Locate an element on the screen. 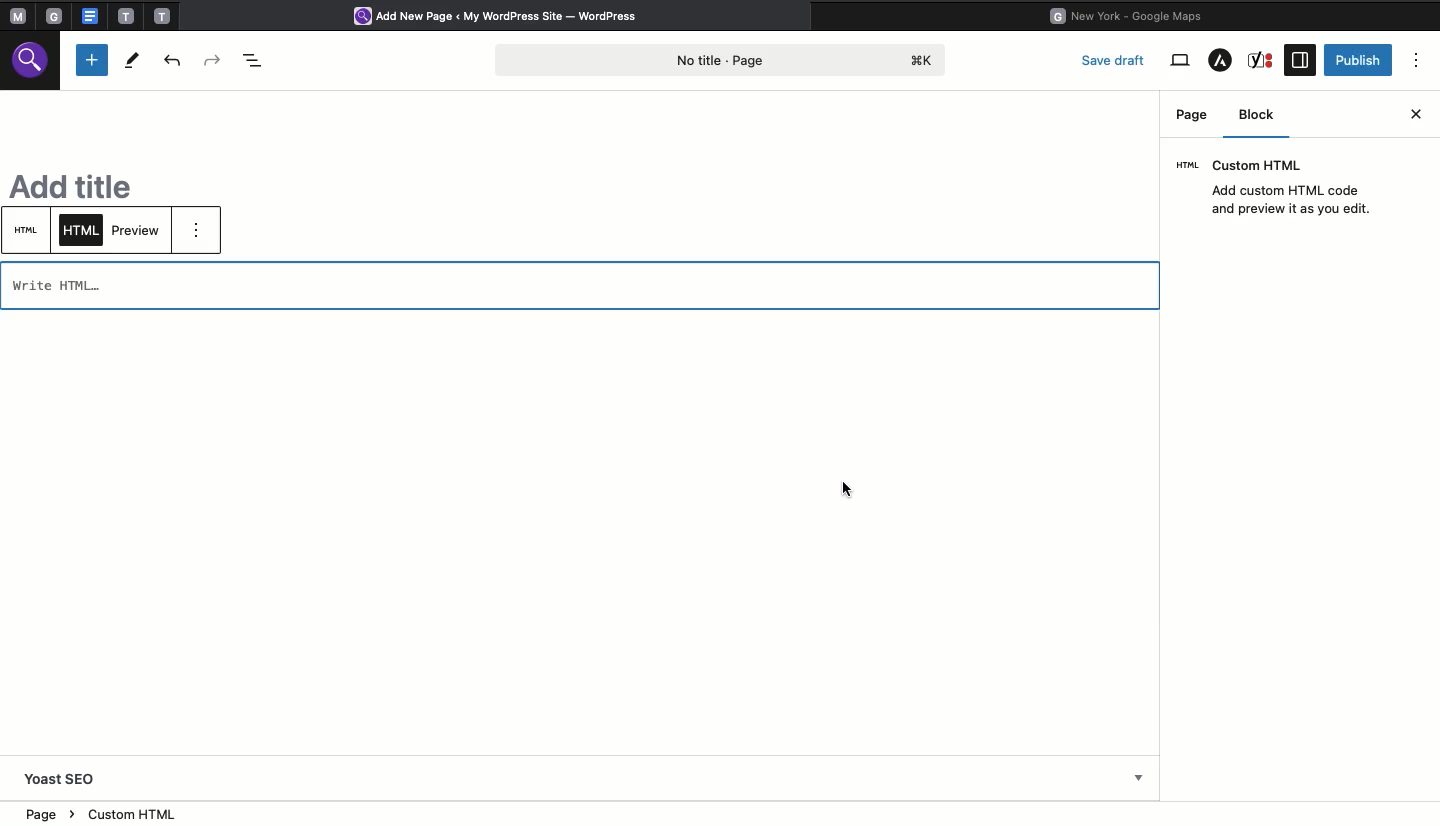 Image resolution: width=1440 pixels, height=826 pixels. Redo is located at coordinates (214, 57).